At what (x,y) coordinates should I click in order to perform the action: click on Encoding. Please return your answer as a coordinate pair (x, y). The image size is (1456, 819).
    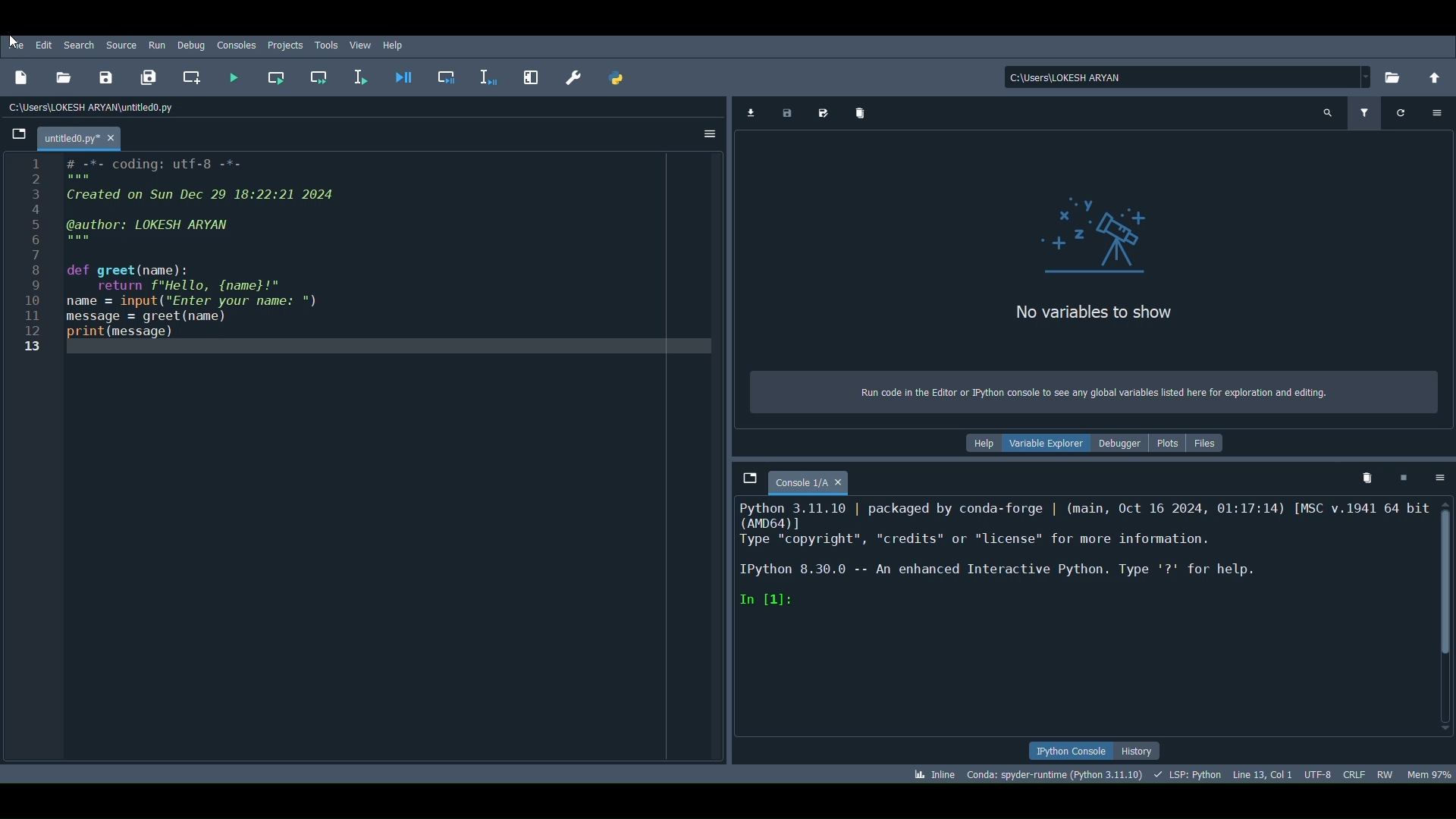
    Looking at the image, I should click on (1318, 773).